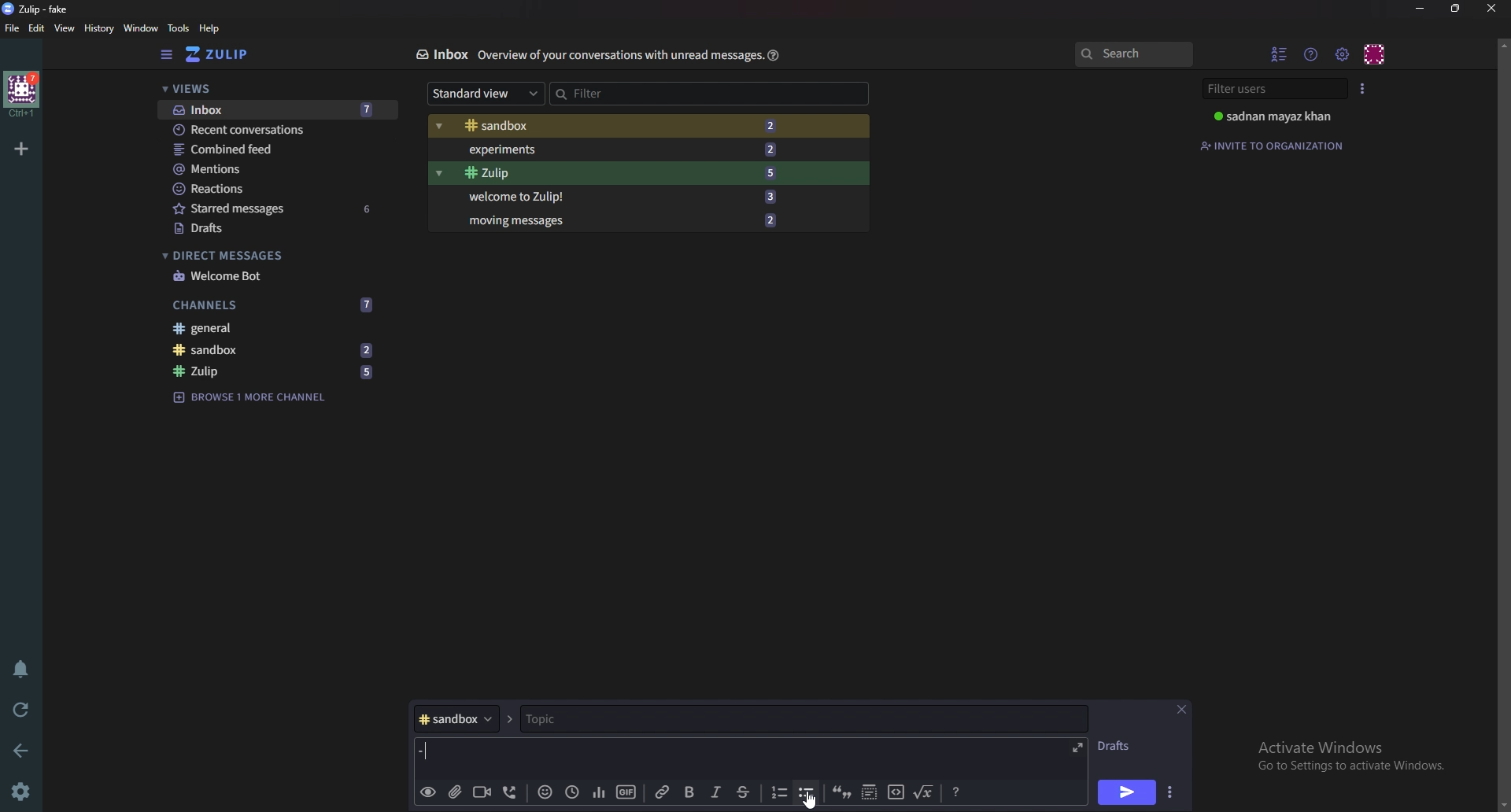 The height and width of the screenshot is (812, 1511). What do you see at coordinates (716, 792) in the screenshot?
I see `Italic` at bounding box center [716, 792].